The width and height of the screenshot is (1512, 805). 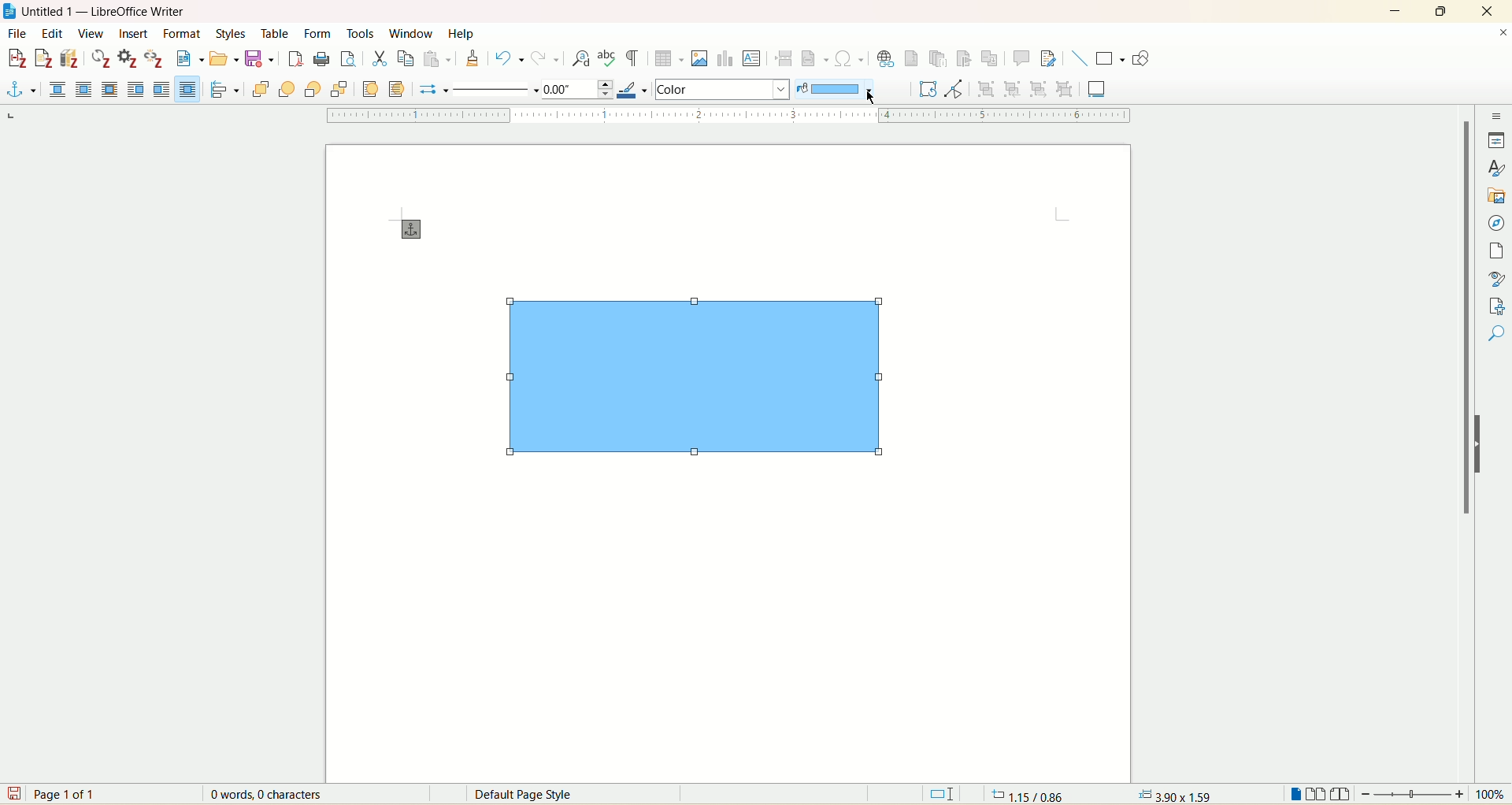 What do you see at coordinates (1496, 142) in the screenshot?
I see `properties` at bounding box center [1496, 142].